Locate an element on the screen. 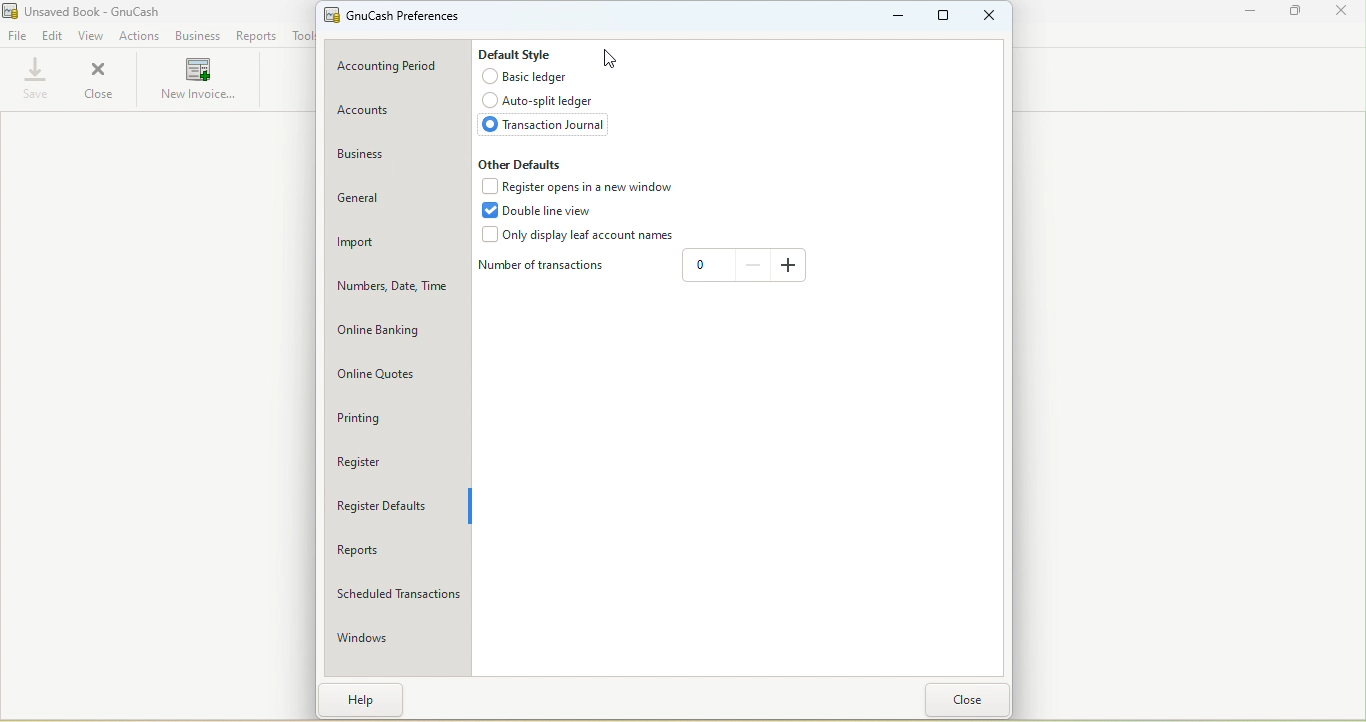 The height and width of the screenshot is (722, 1366). Default style is located at coordinates (524, 55).